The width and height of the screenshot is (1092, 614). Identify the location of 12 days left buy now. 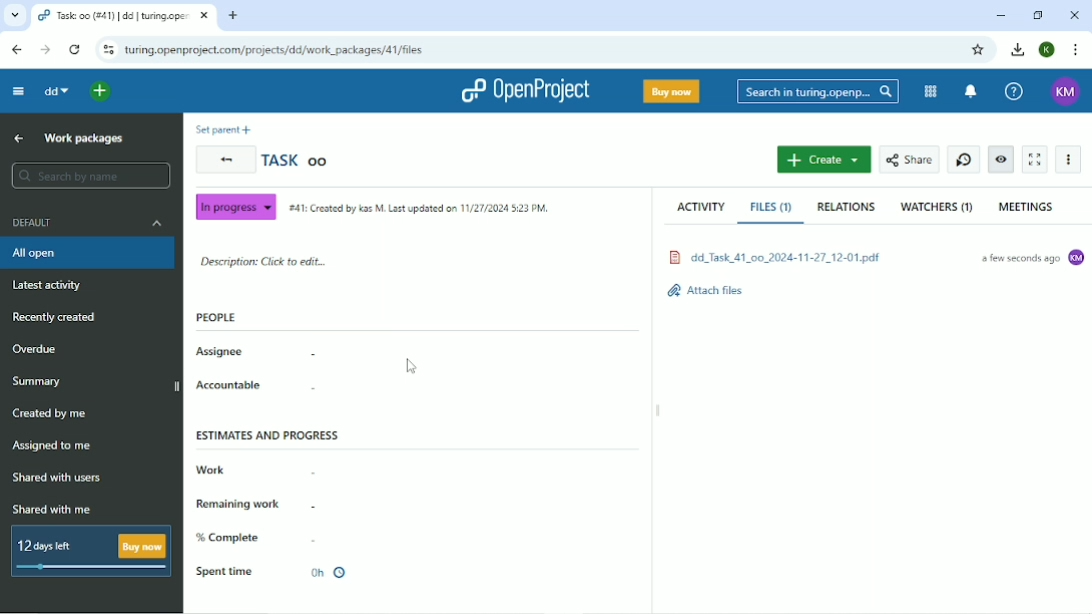
(87, 551).